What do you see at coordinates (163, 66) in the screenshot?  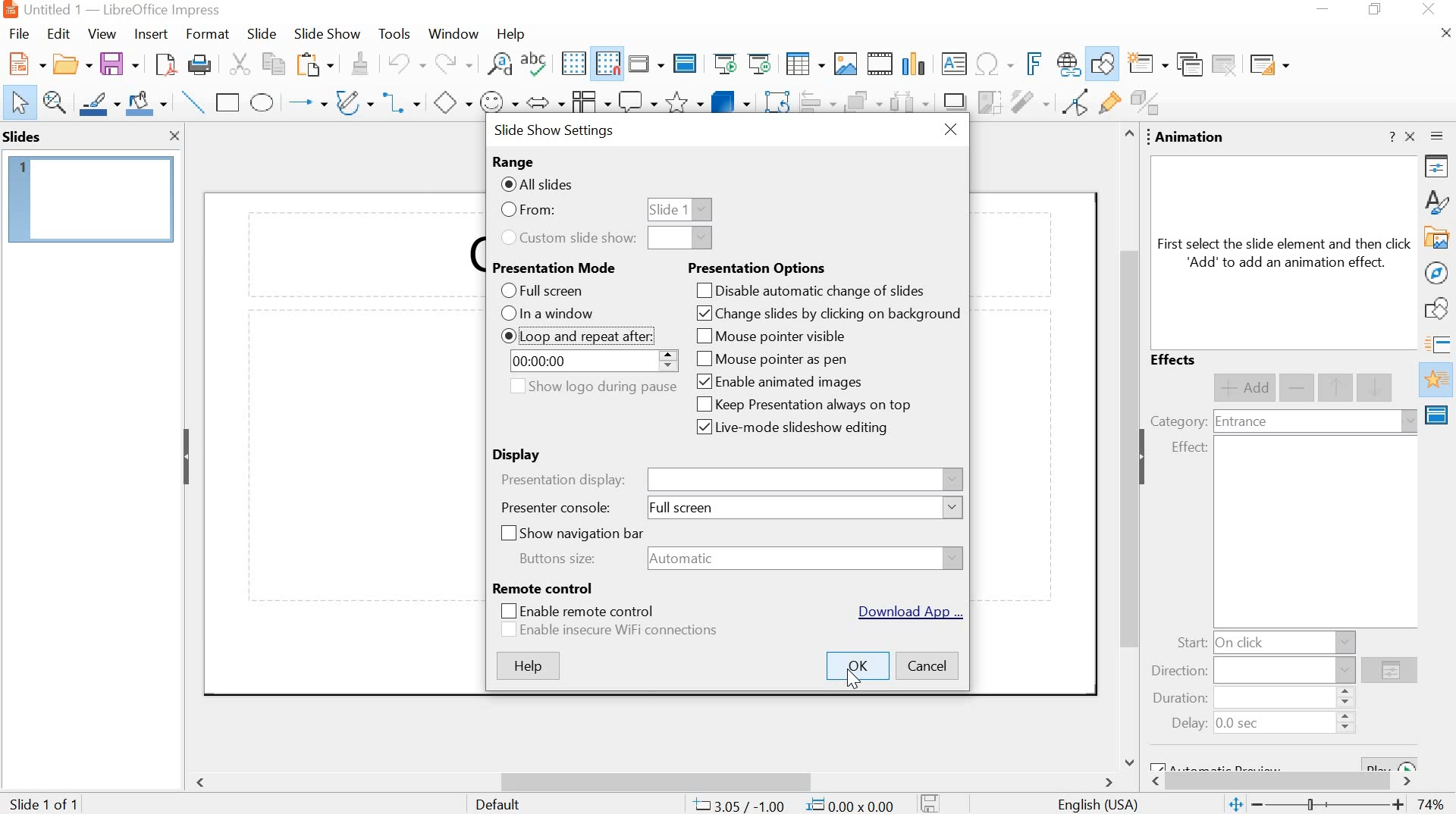 I see `export as pdf` at bounding box center [163, 66].